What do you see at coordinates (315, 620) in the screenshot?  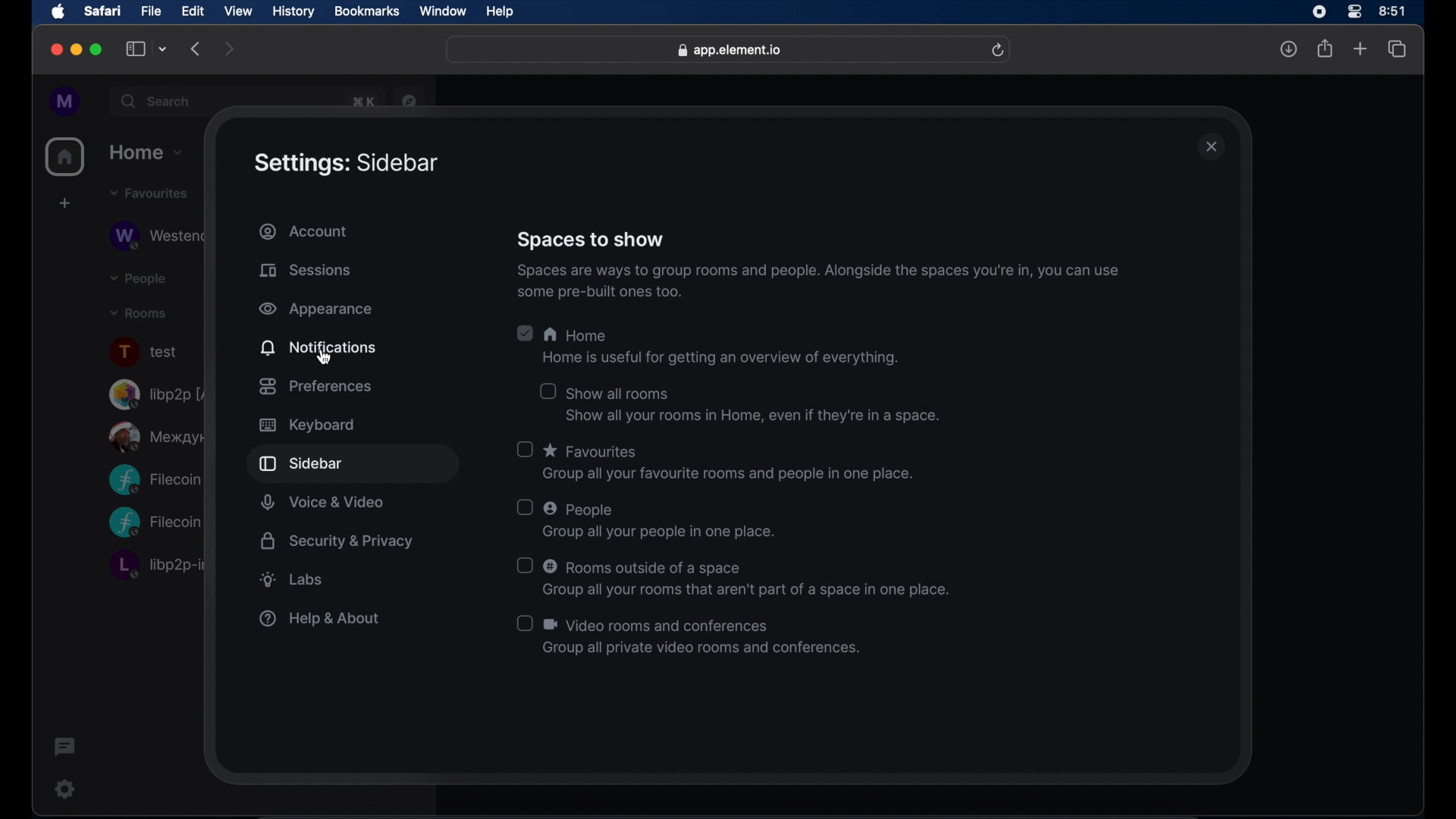 I see `help & about` at bounding box center [315, 620].